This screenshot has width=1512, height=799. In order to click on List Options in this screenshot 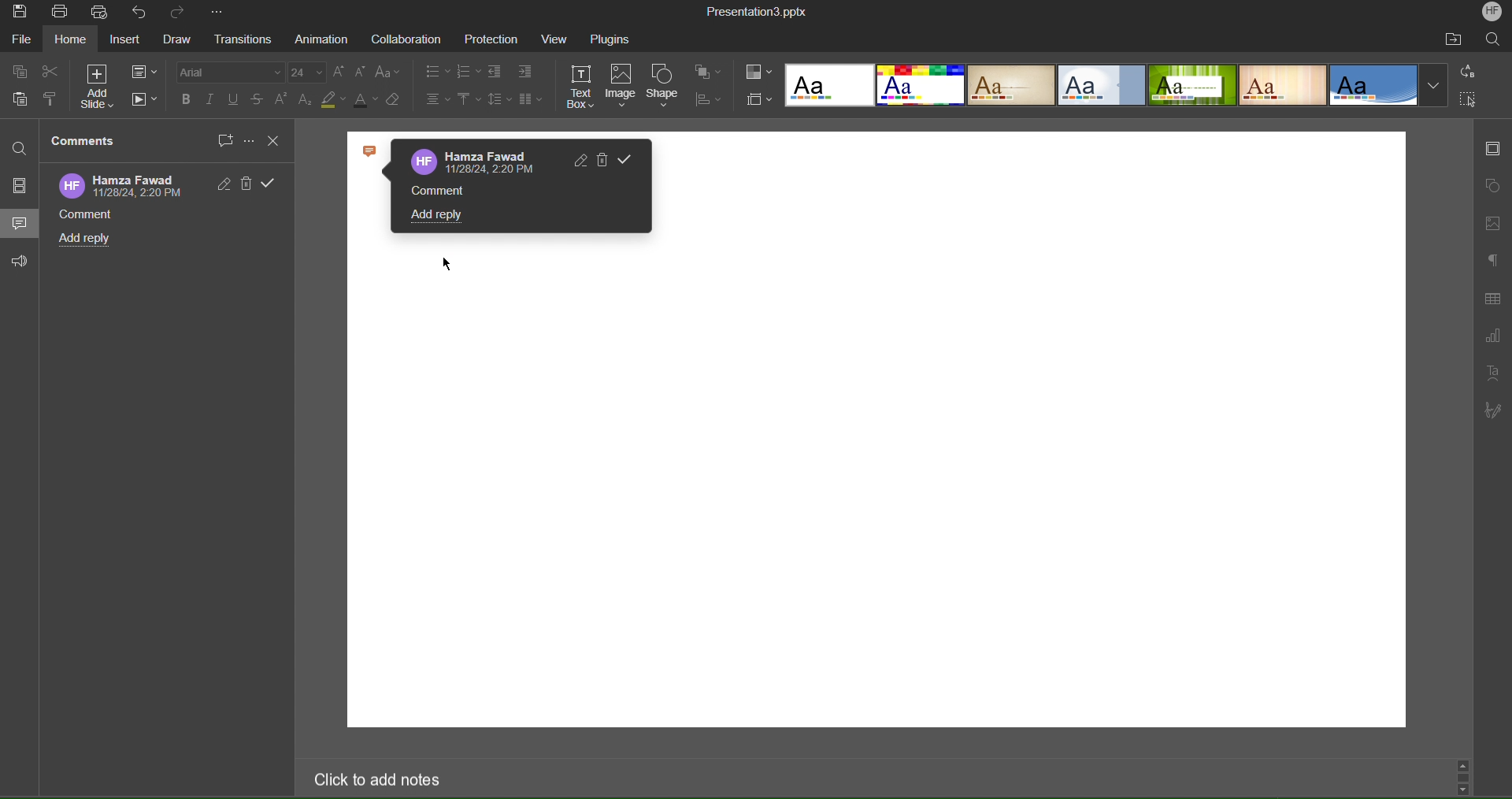, I will do `click(435, 72)`.